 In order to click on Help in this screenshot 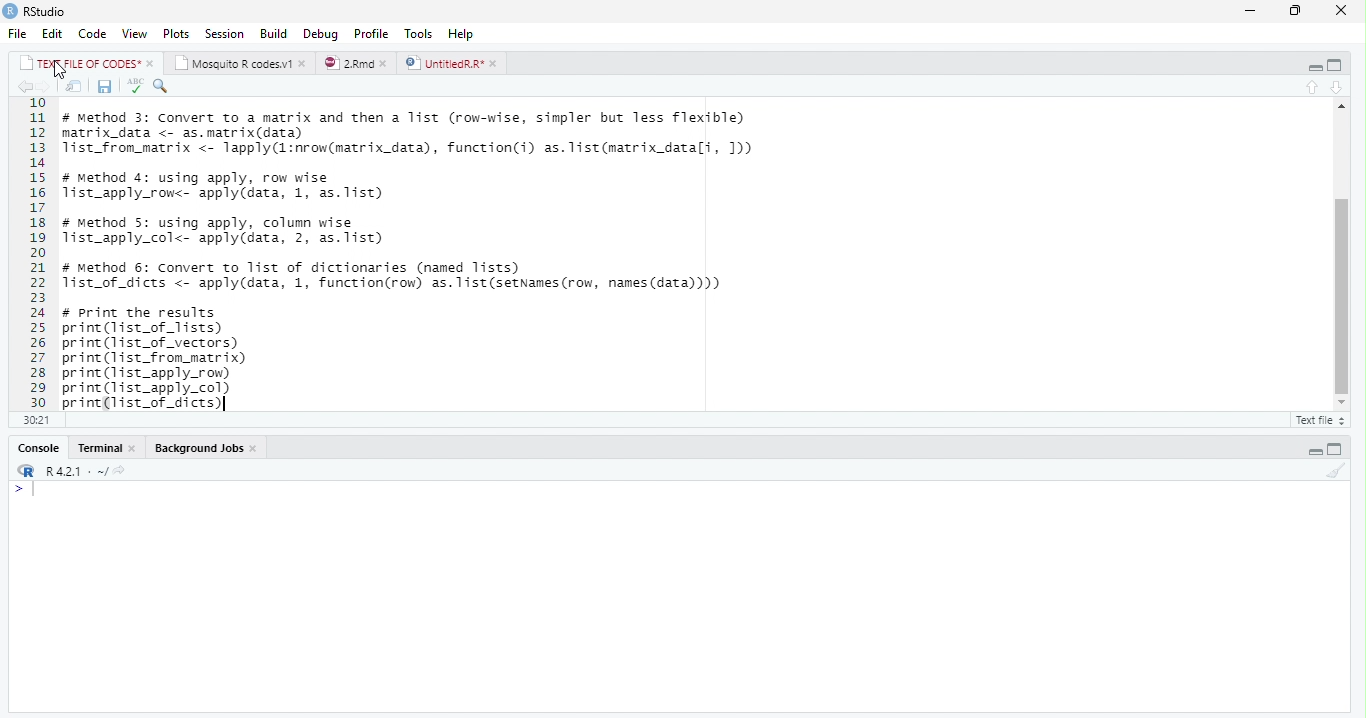, I will do `click(465, 34)`.